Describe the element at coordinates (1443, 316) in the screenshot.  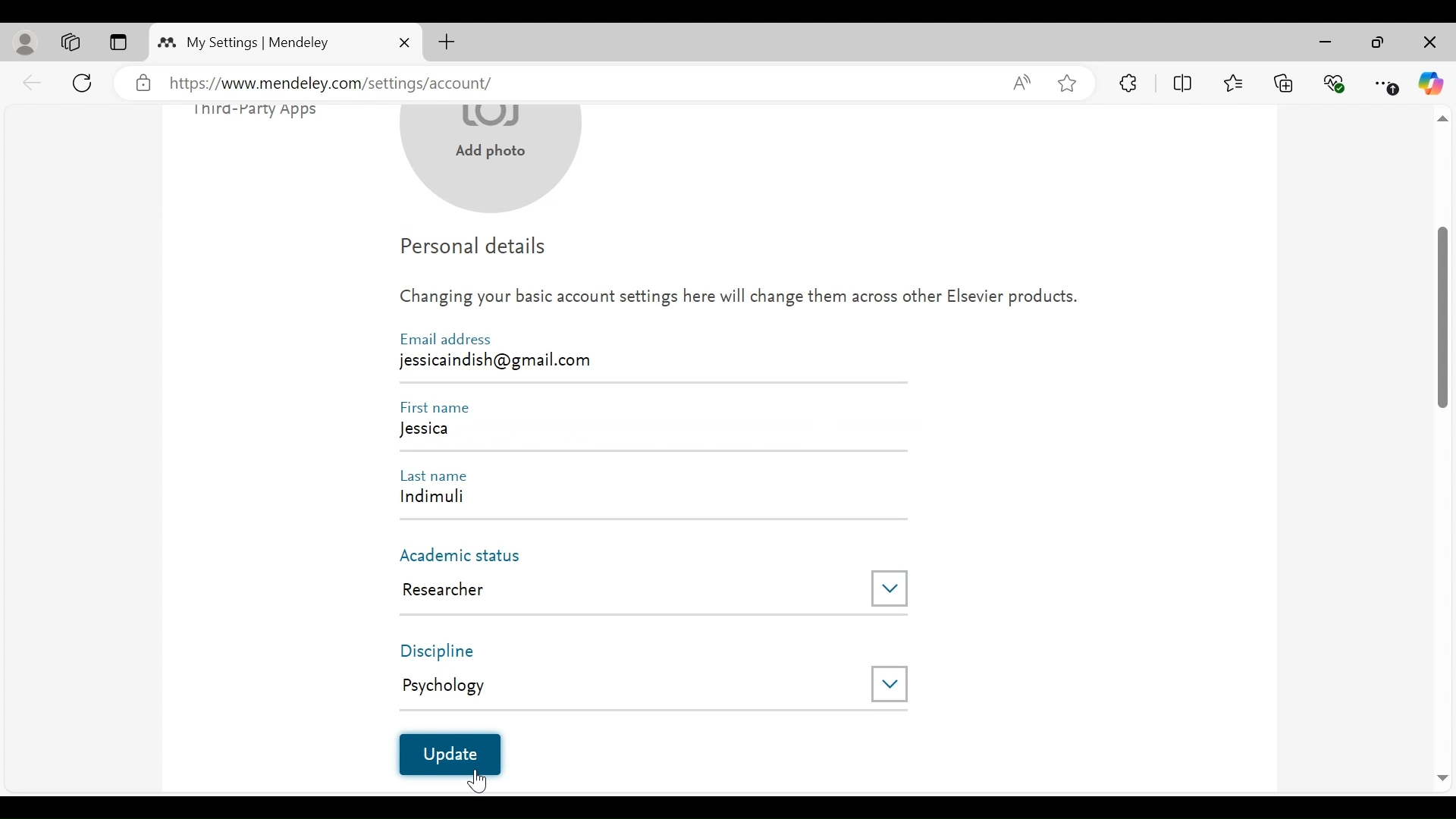
I see `Vertical Scroll bar` at that location.